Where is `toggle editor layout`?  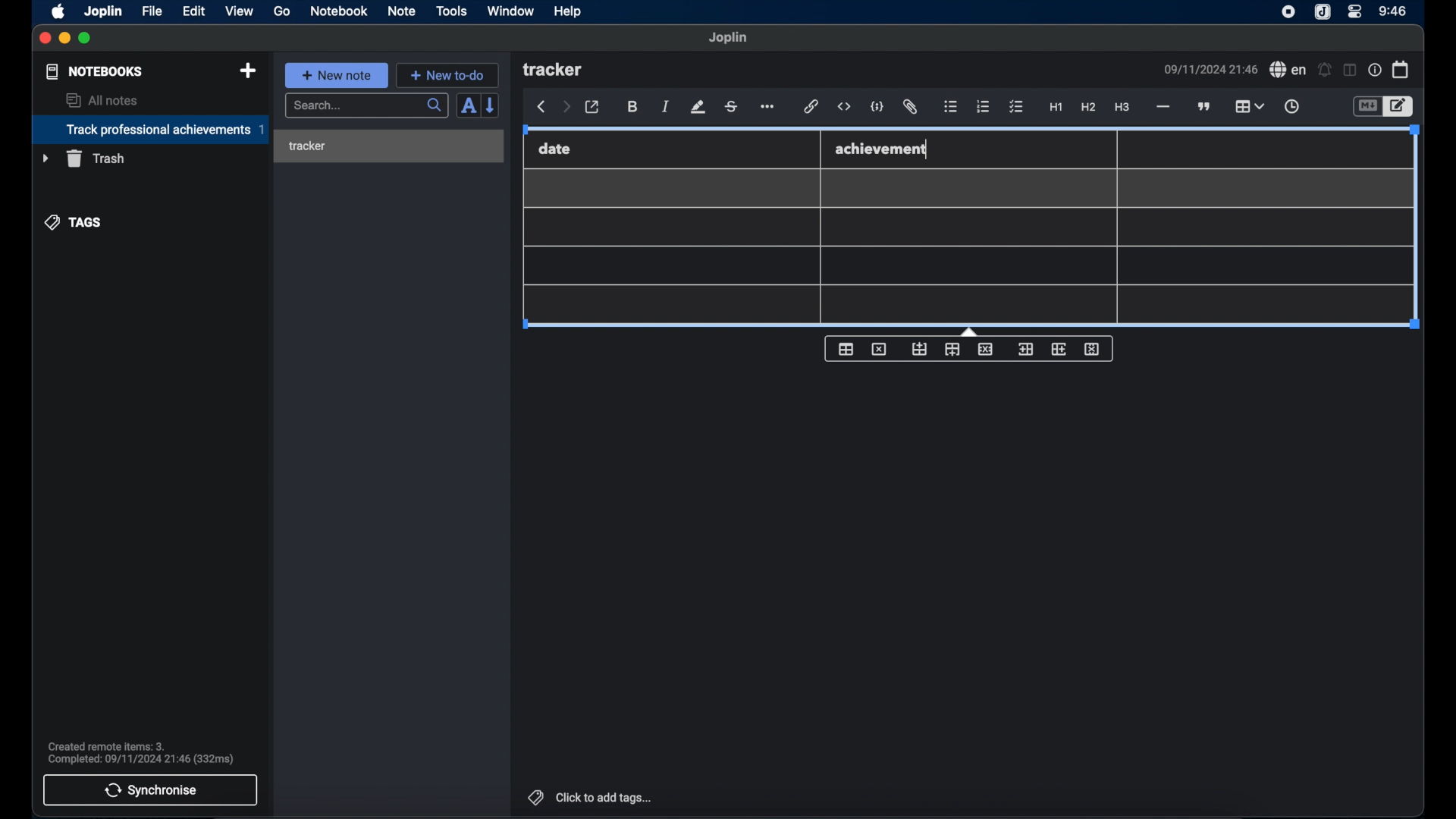 toggle editor layout is located at coordinates (1348, 71).